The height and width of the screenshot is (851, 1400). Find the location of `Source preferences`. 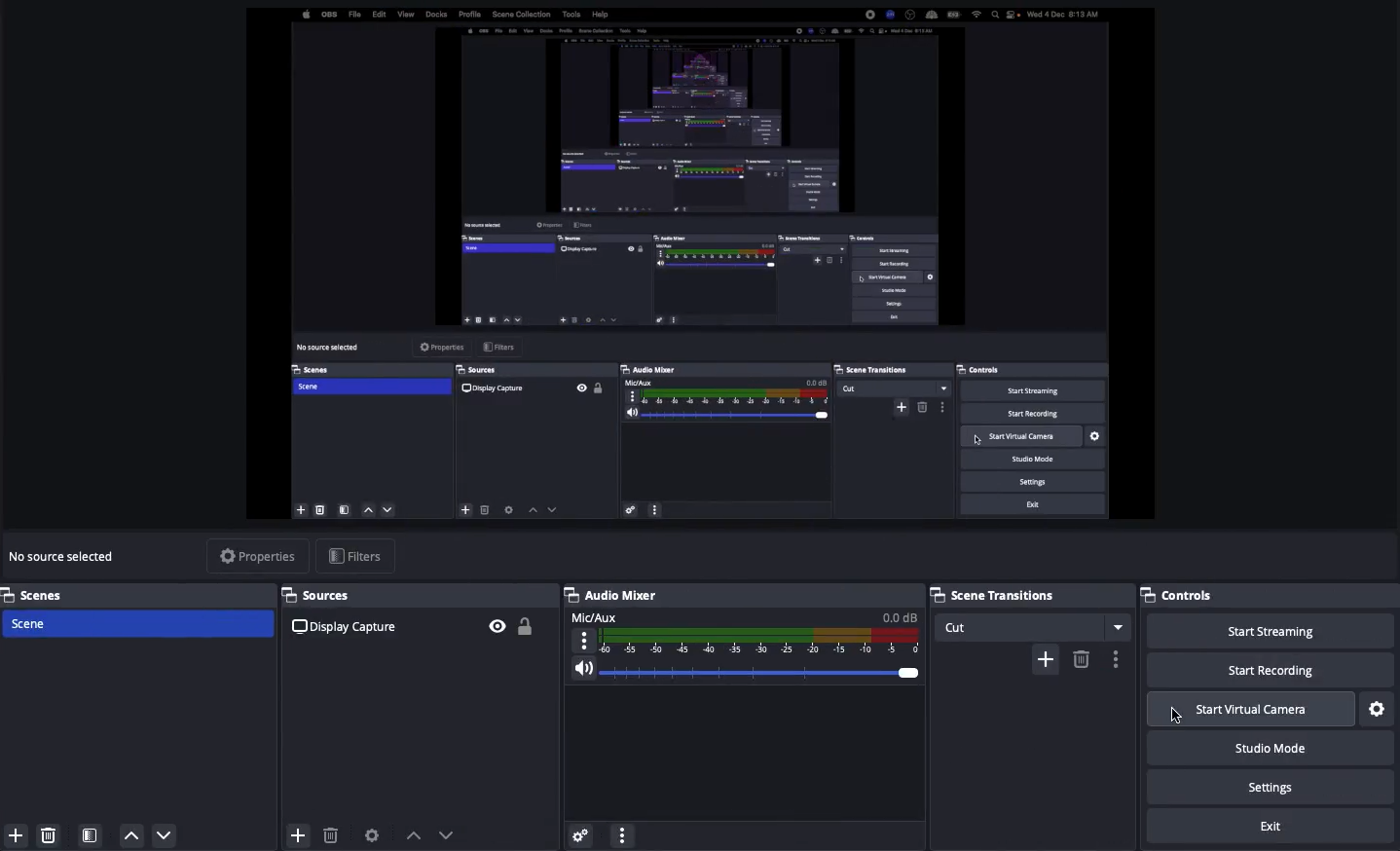

Source preferences is located at coordinates (375, 833).